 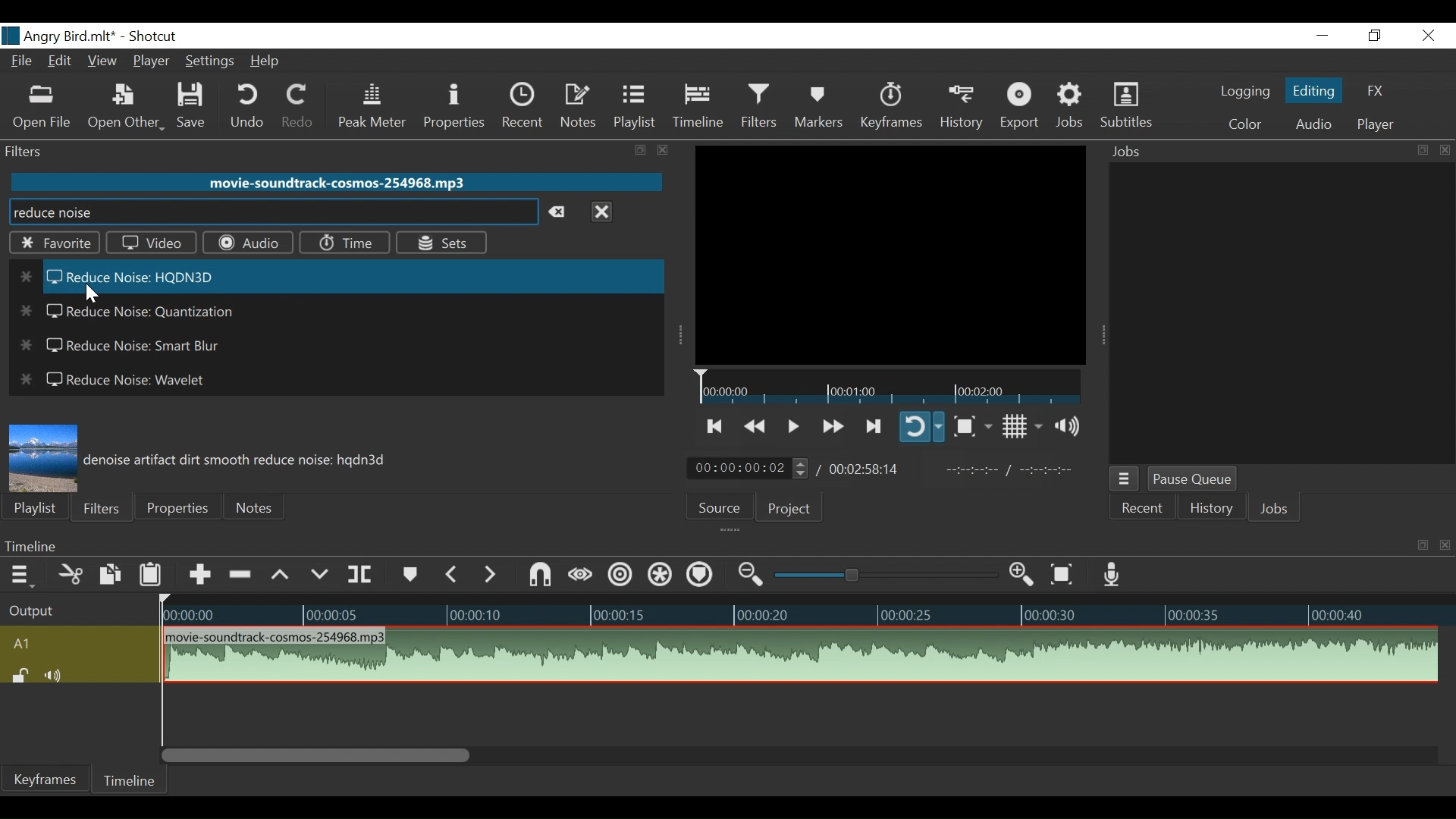 I want to click on Overwrite, so click(x=321, y=573).